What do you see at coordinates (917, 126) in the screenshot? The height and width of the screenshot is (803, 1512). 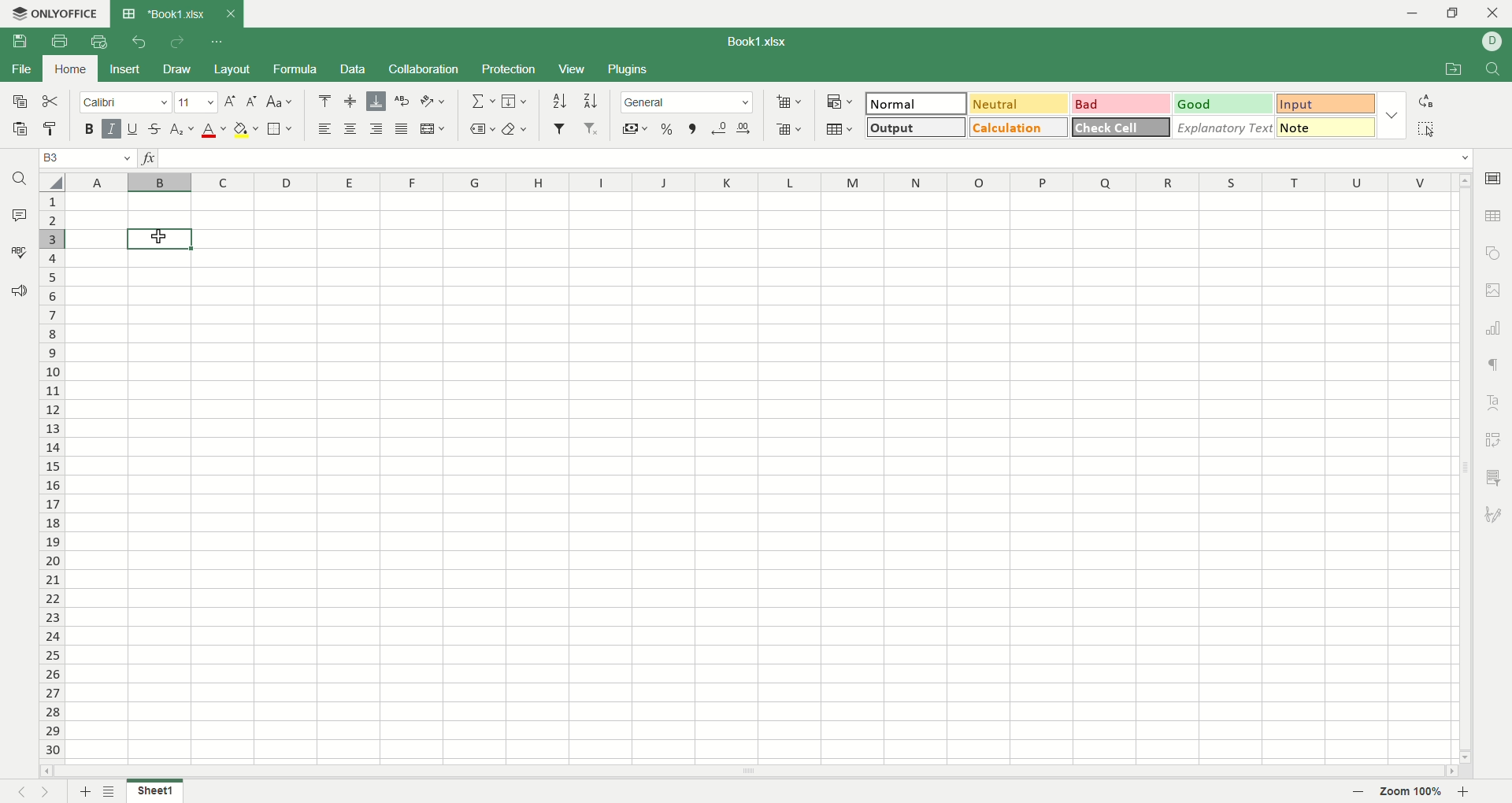 I see `output` at bounding box center [917, 126].